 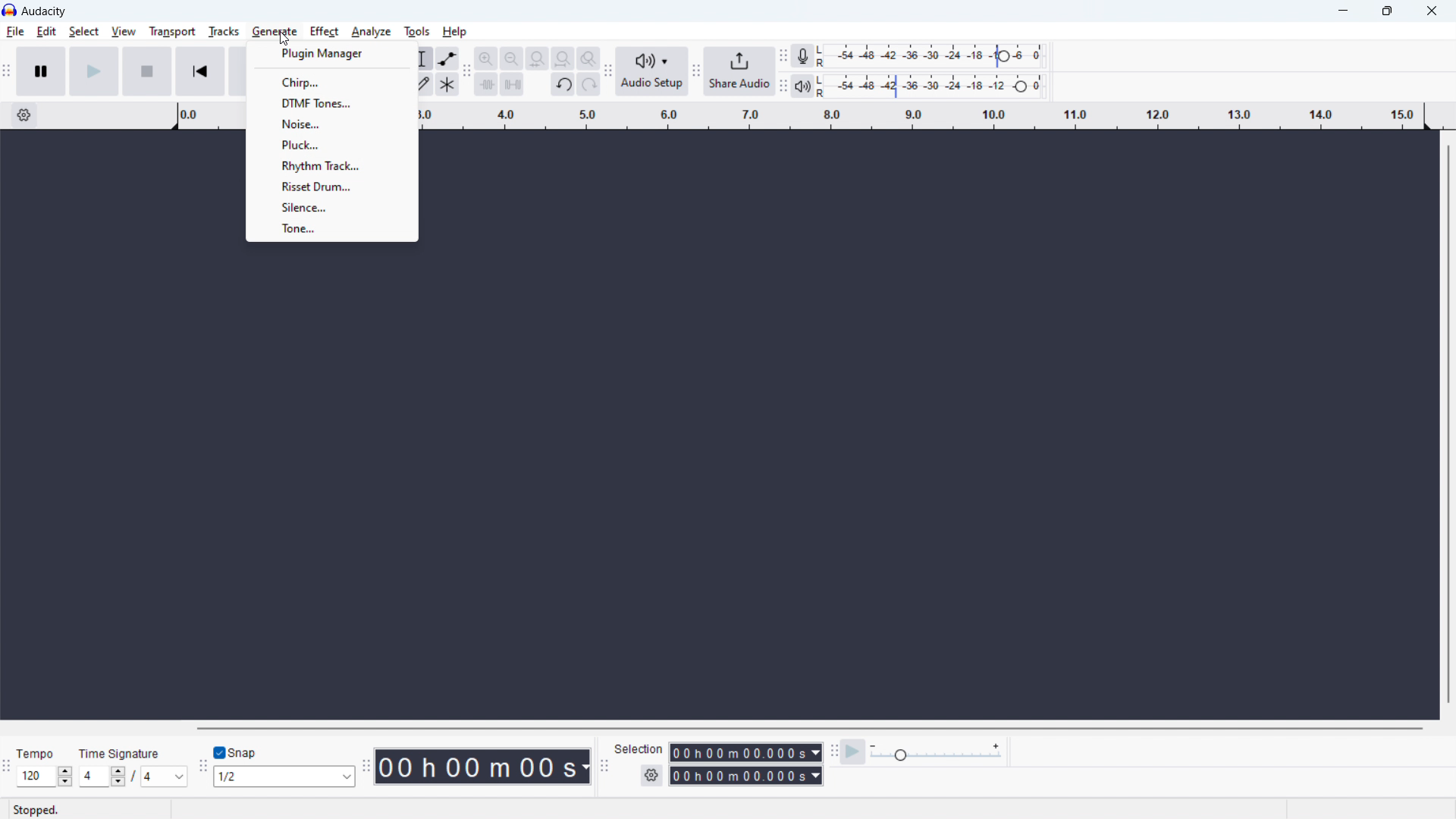 I want to click on zoom in, so click(x=487, y=58).